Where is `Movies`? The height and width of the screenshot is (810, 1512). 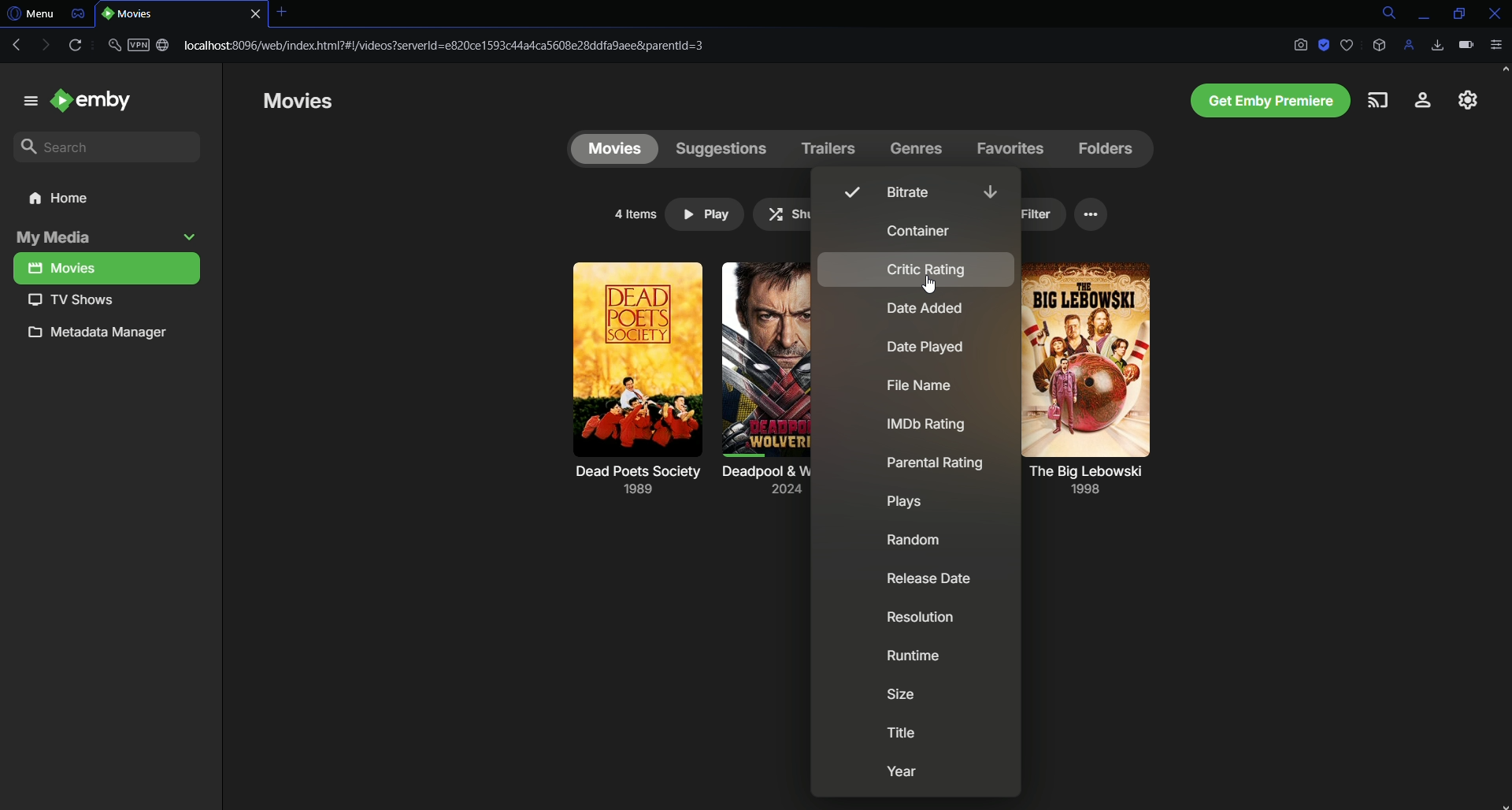
Movies is located at coordinates (312, 102).